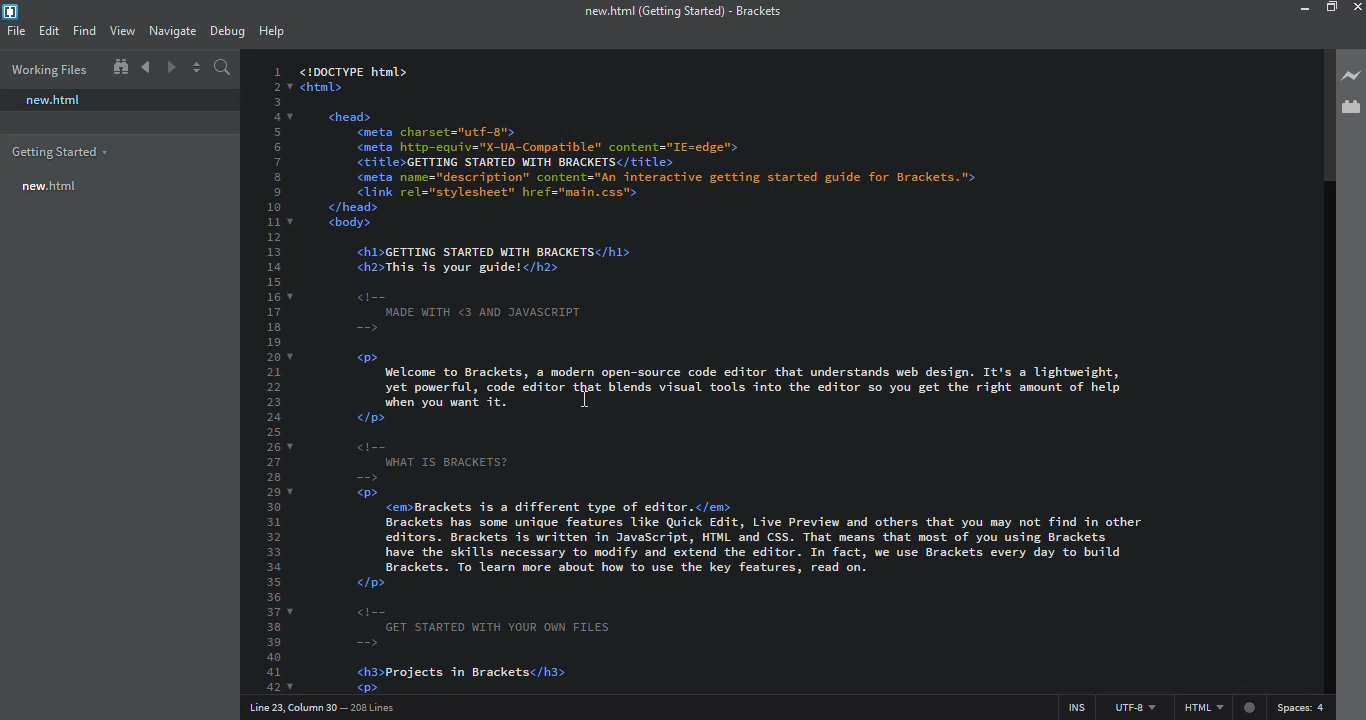  Describe the element at coordinates (579, 394) in the screenshot. I see `cursor` at that location.